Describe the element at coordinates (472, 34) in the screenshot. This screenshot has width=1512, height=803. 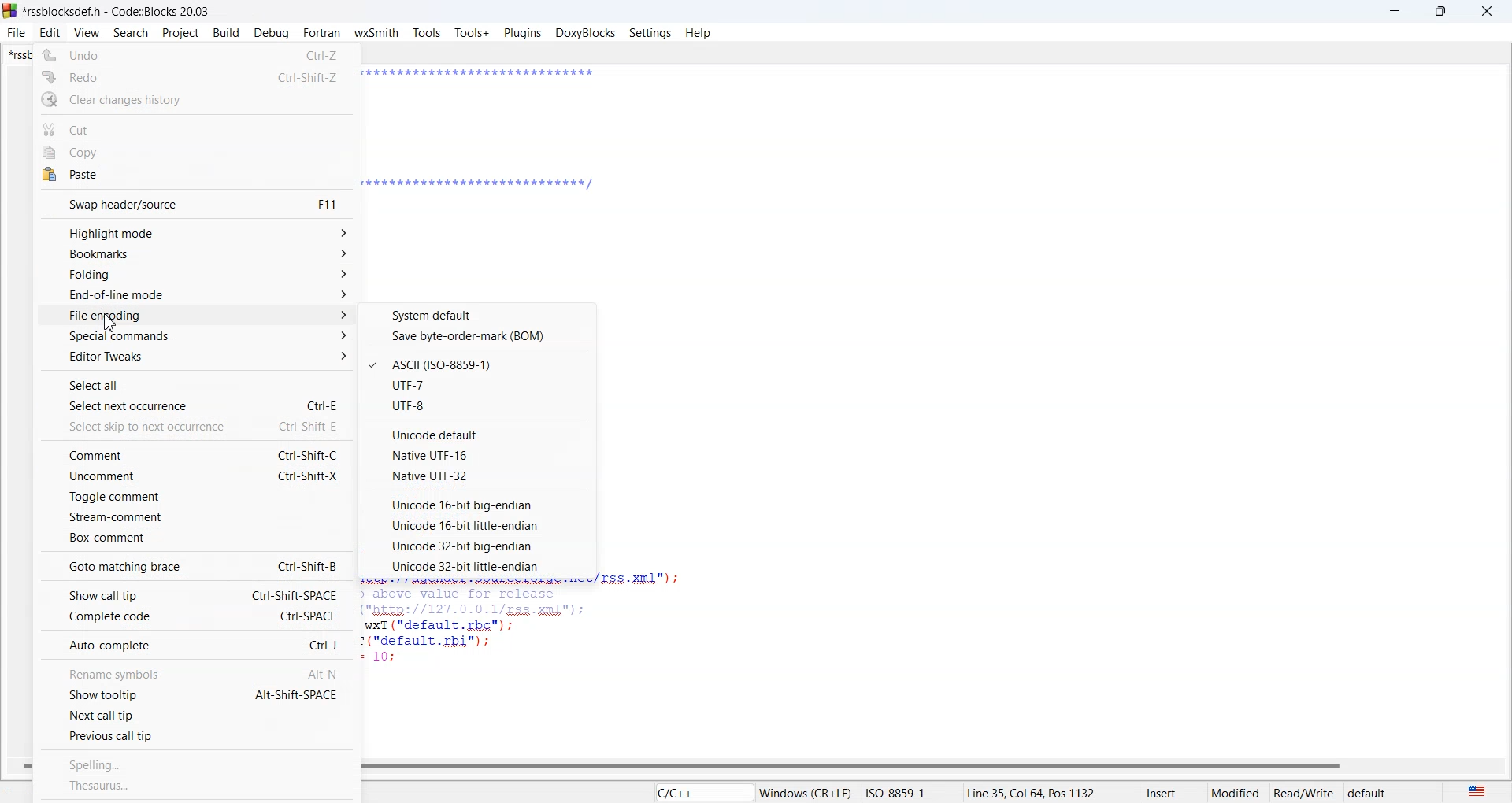
I see `Tools plus` at that location.